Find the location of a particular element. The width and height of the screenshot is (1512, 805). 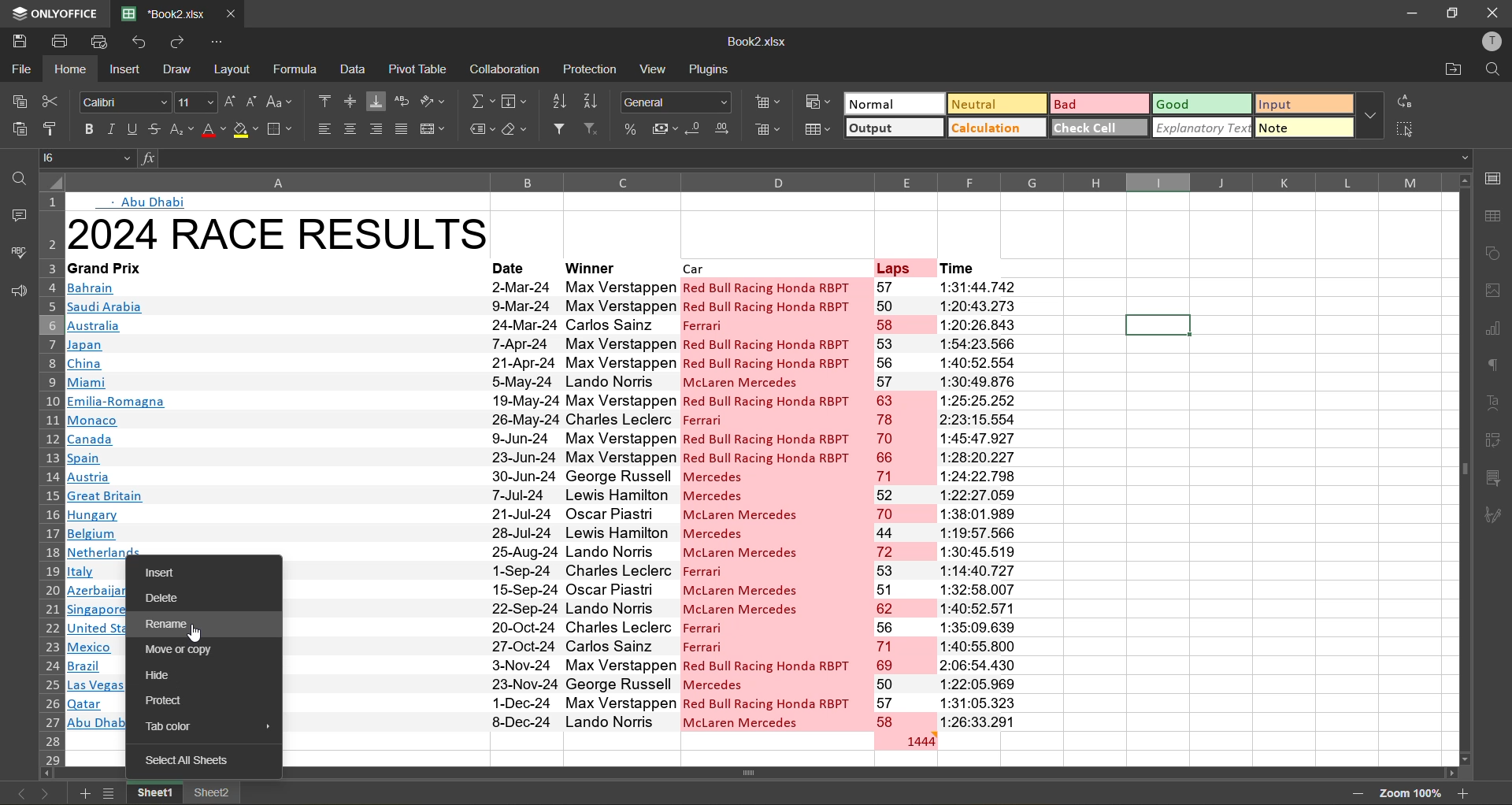

cell address is located at coordinates (87, 157).